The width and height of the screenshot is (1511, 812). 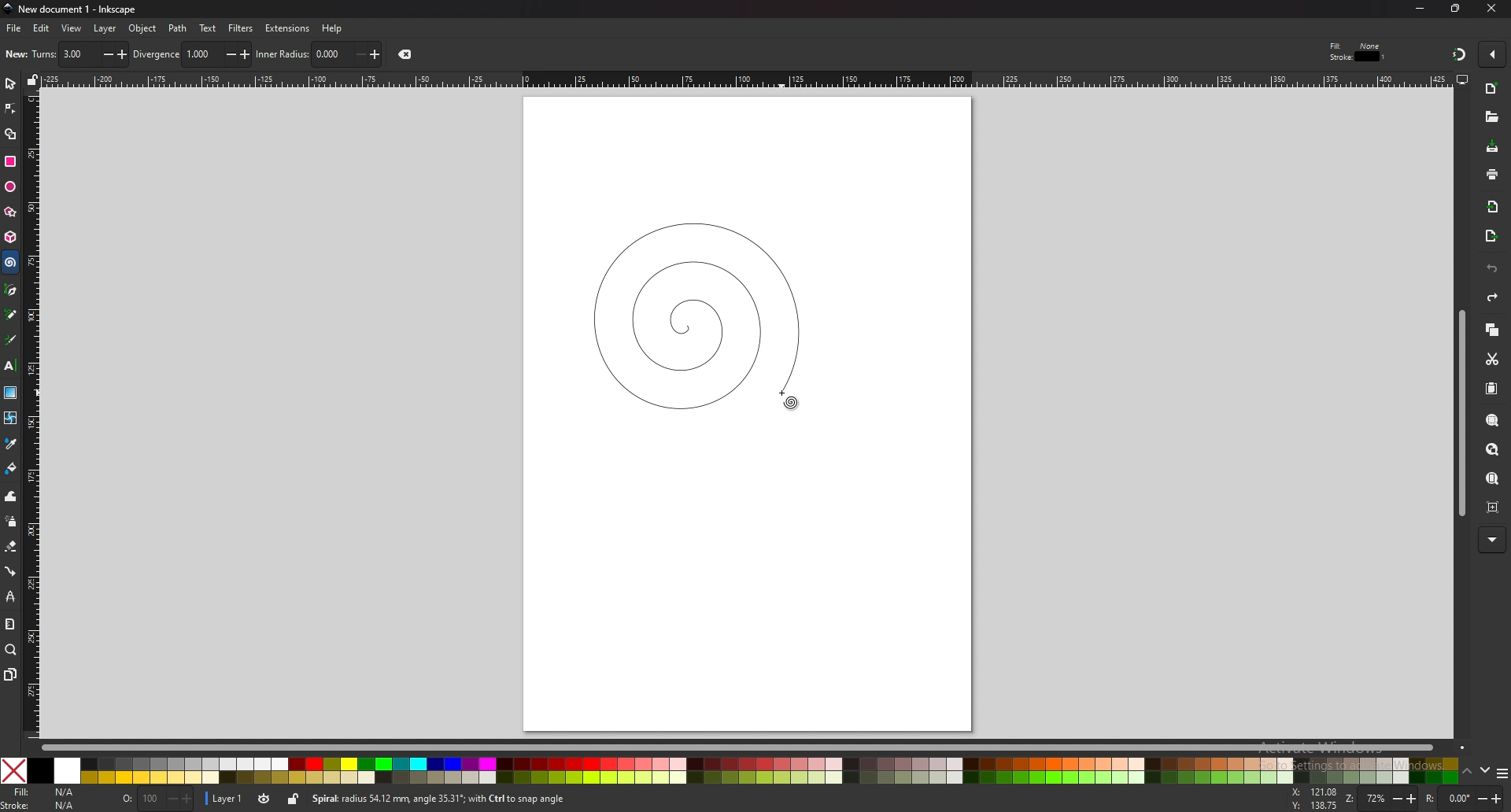 What do you see at coordinates (408, 54) in the screenshot?
I see `close` at bounding box center [408, 54].